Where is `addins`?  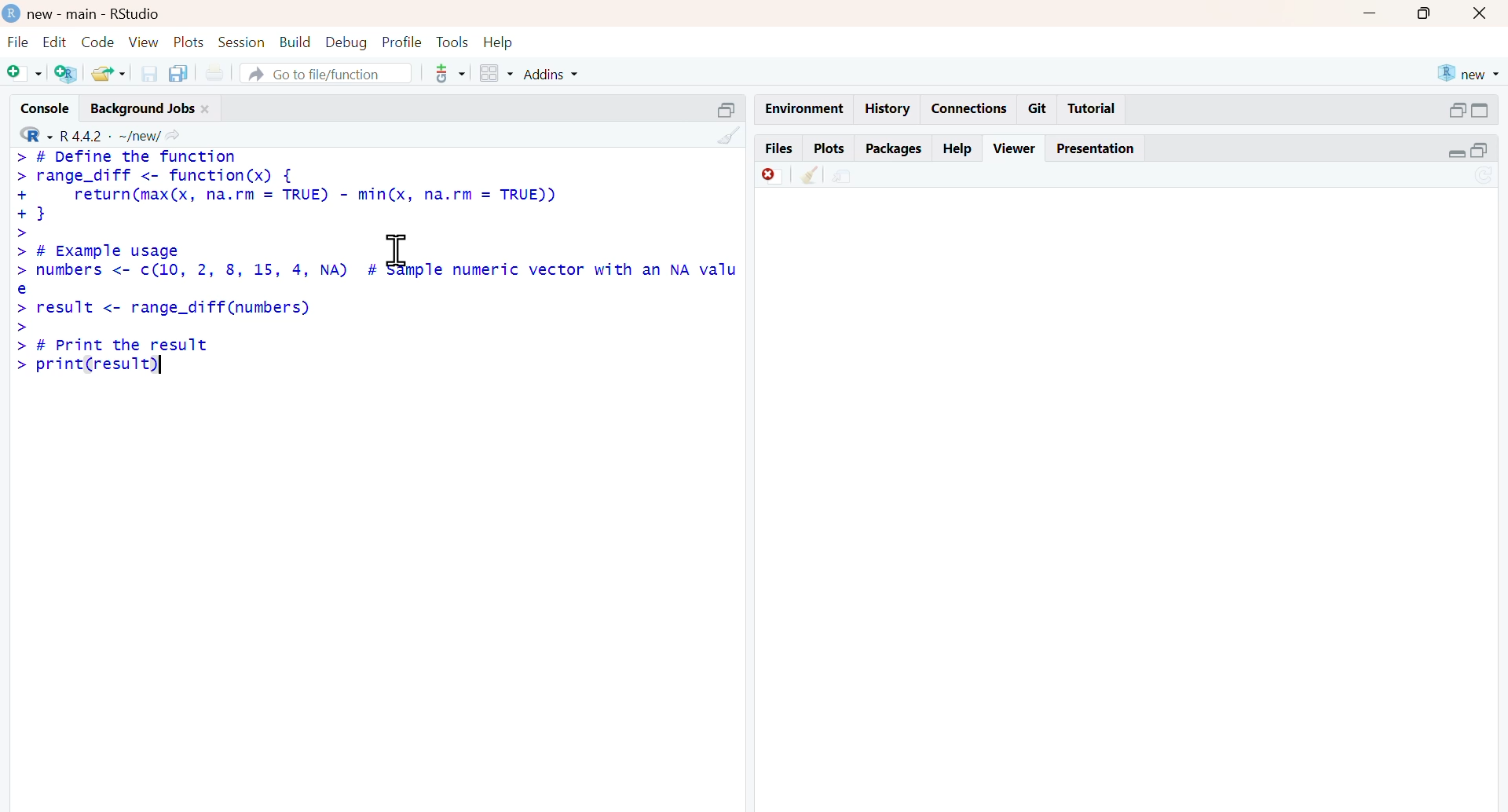
addins is located at coordinates (553, 75).